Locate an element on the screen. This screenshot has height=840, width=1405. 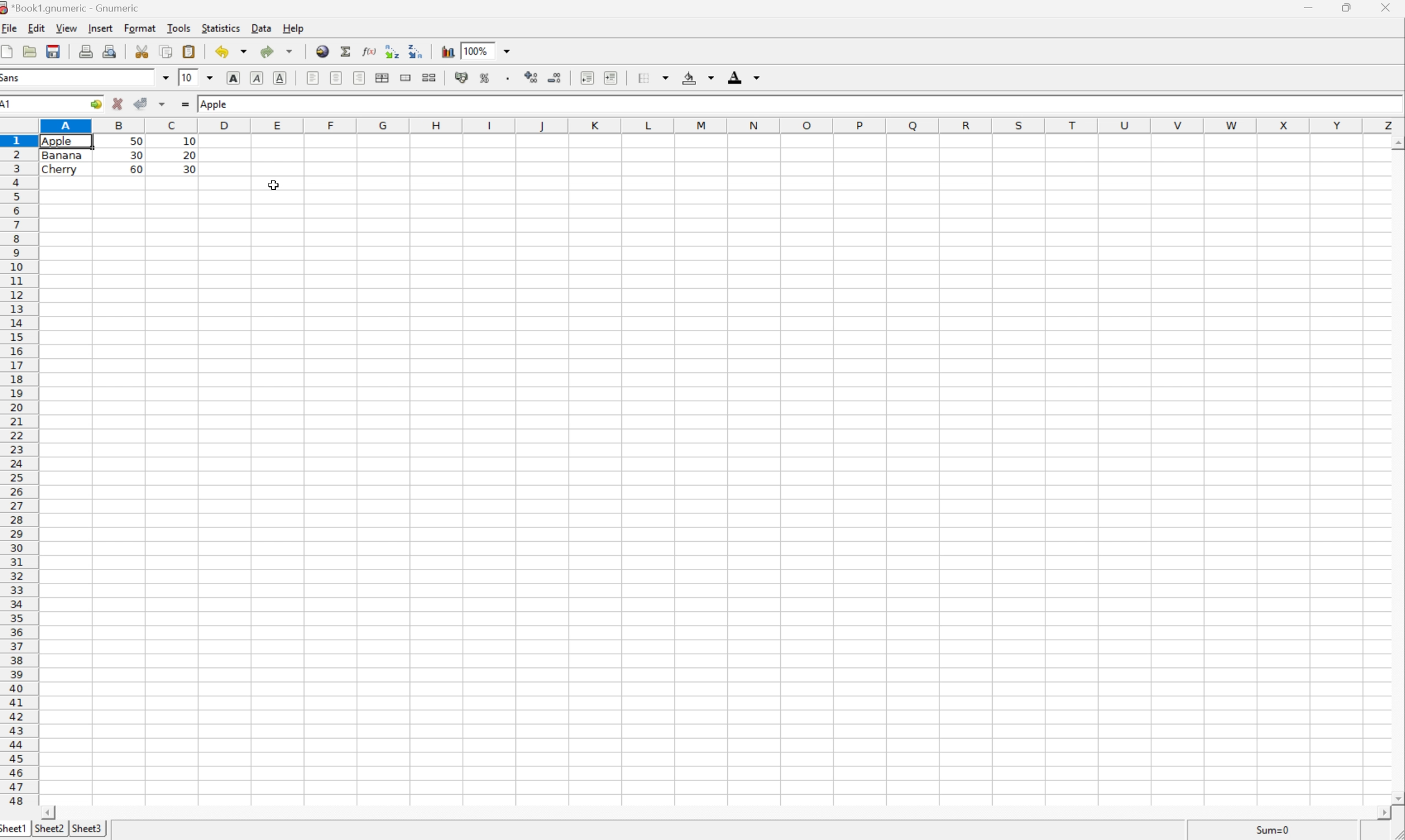
A1 is located at coordinates (10, 105).